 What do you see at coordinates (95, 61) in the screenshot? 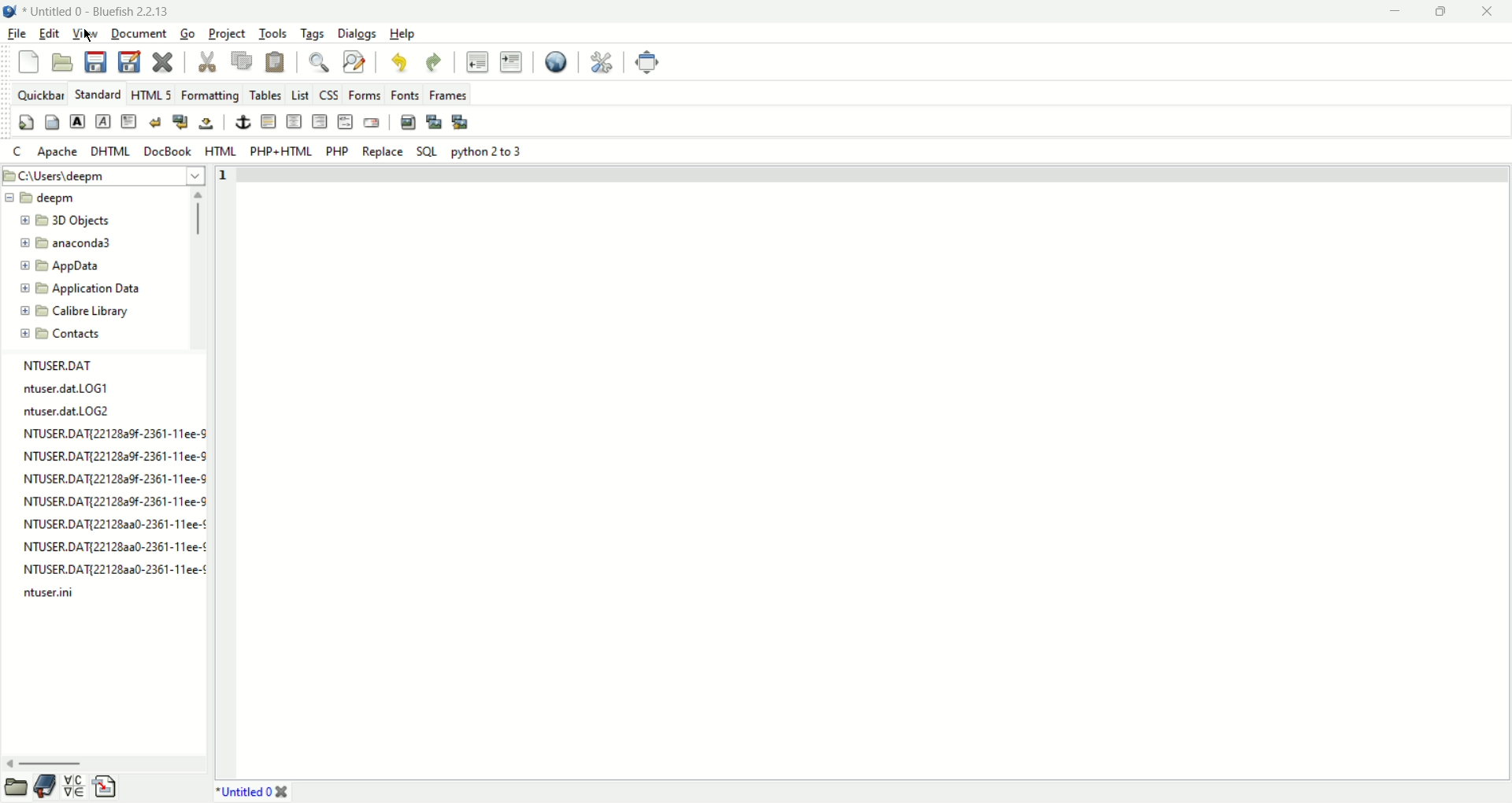
I see `save` at bounding box center [95, 61].